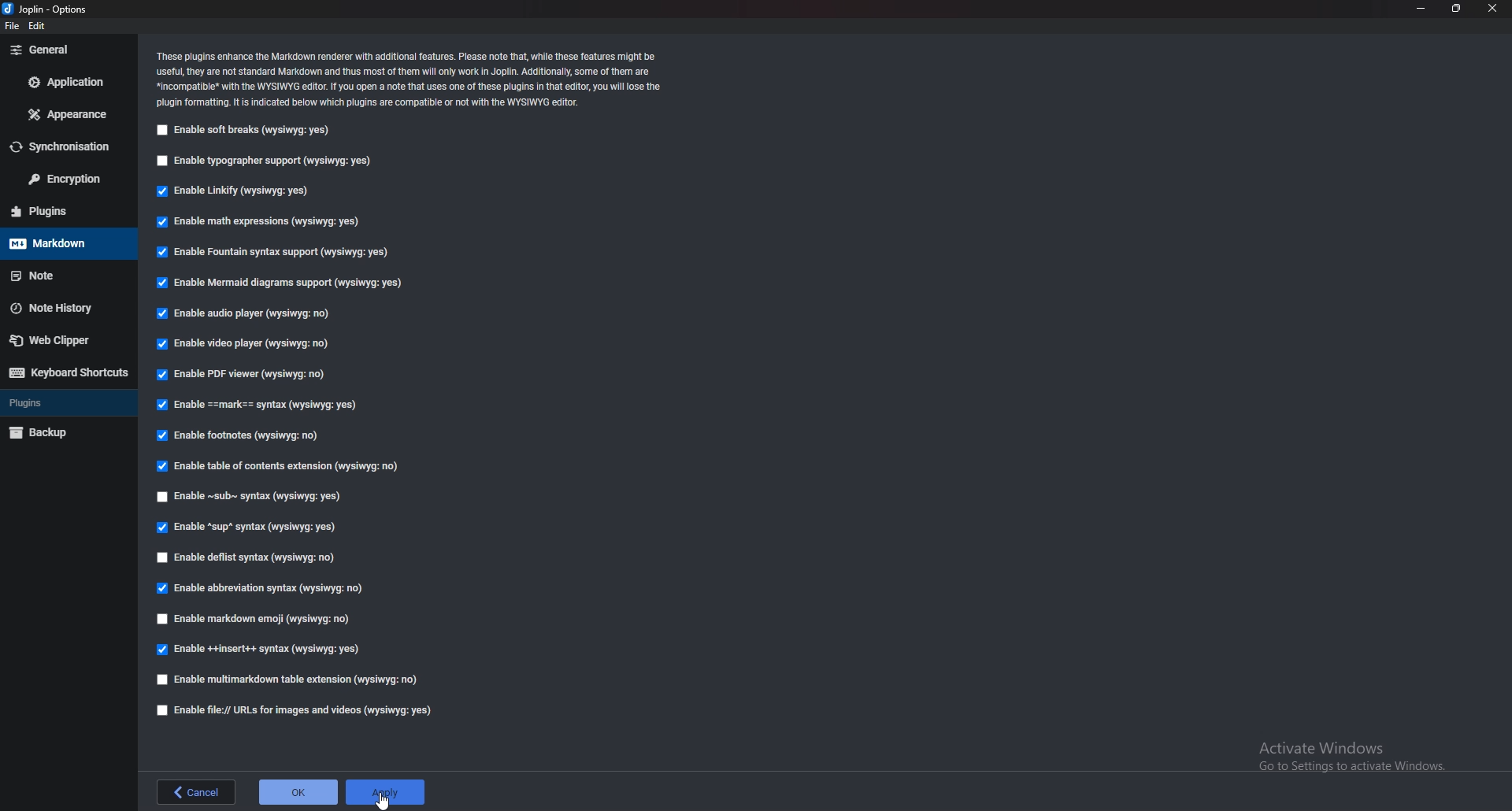 This screenshot has height=811, width=1512. I want to click on Enable math expressions, so click(257, 220).